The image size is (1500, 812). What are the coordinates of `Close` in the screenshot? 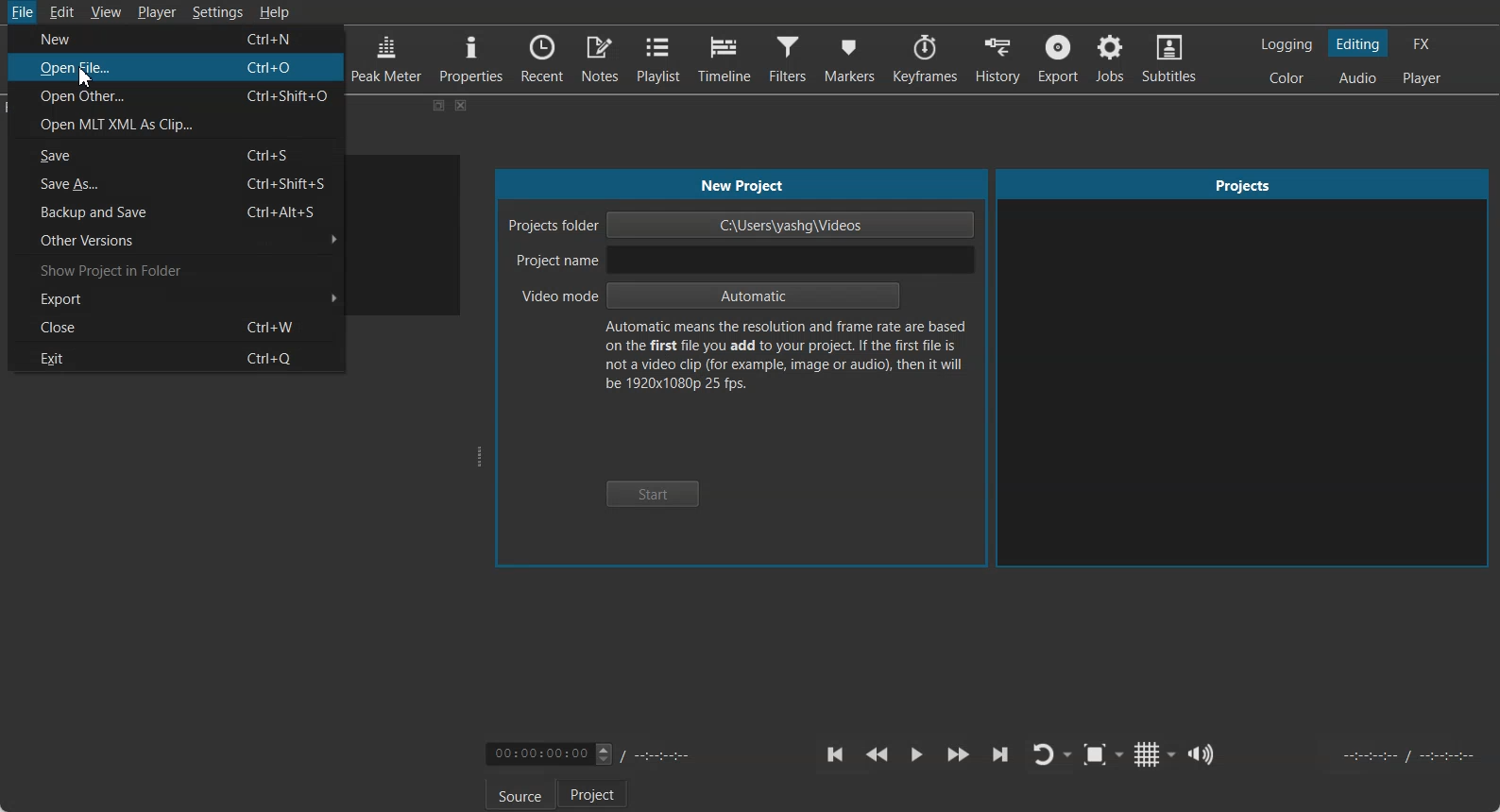 It's located at (462, 105).